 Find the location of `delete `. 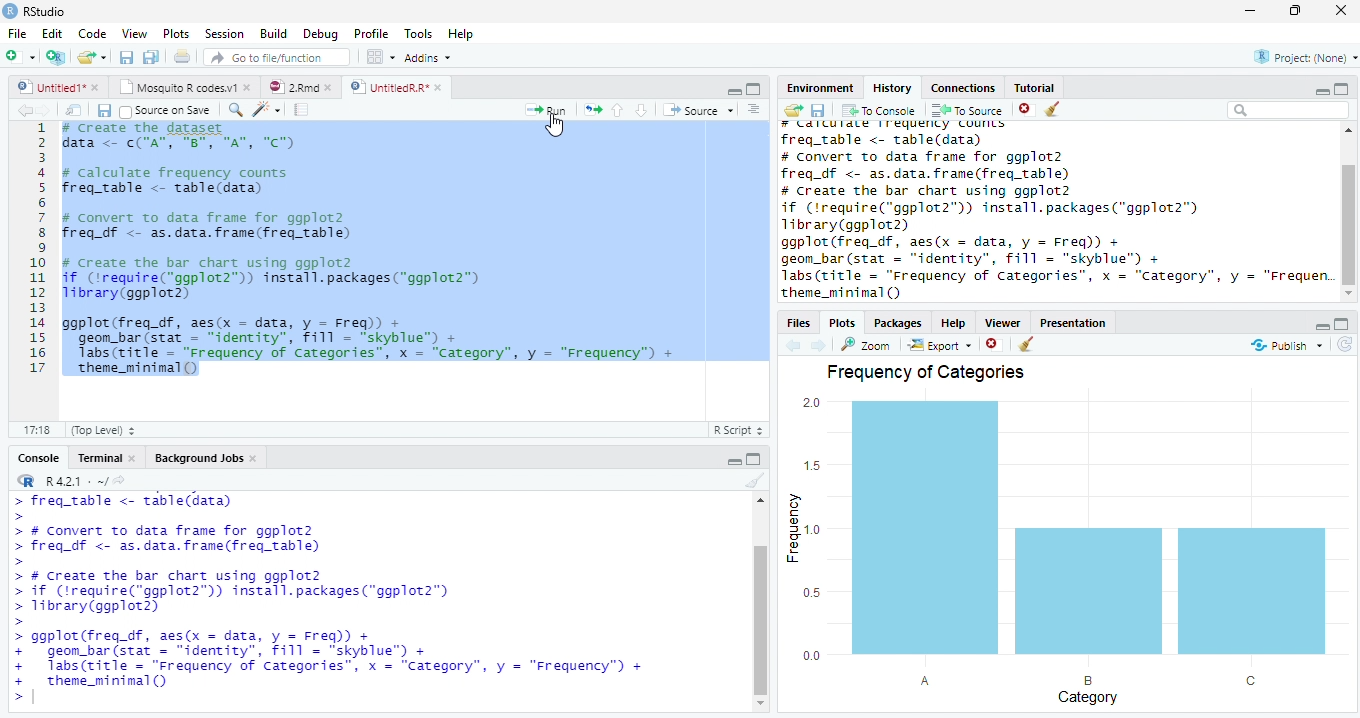

delete  is located at coordinates (994, 343).